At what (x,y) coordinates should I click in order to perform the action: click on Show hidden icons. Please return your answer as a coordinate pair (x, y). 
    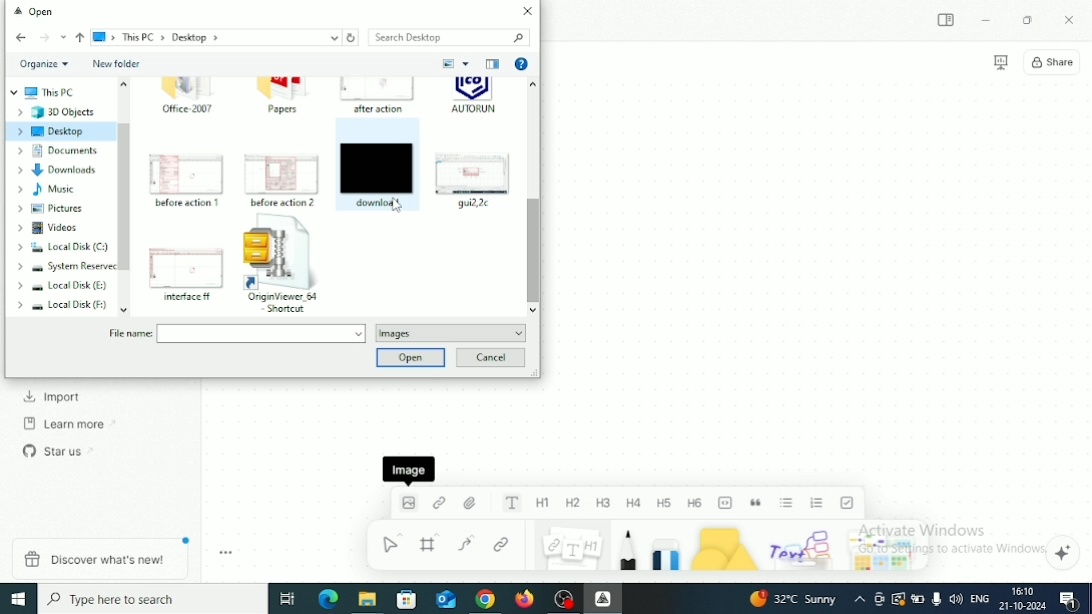
    Looking at the image, I should click on (860, 599).